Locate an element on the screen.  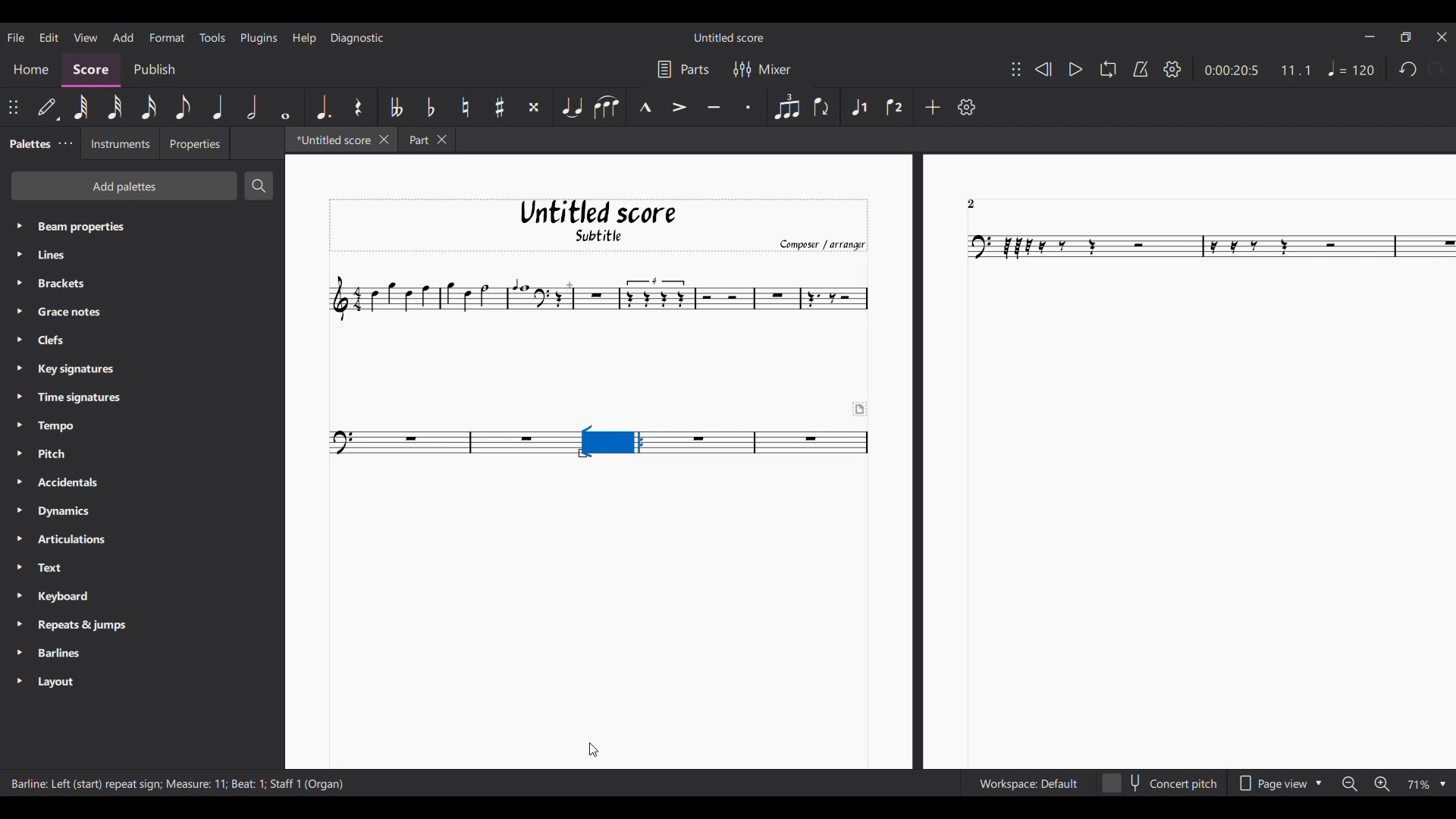
Current tab highlighted is located at coordinates (331, 140).